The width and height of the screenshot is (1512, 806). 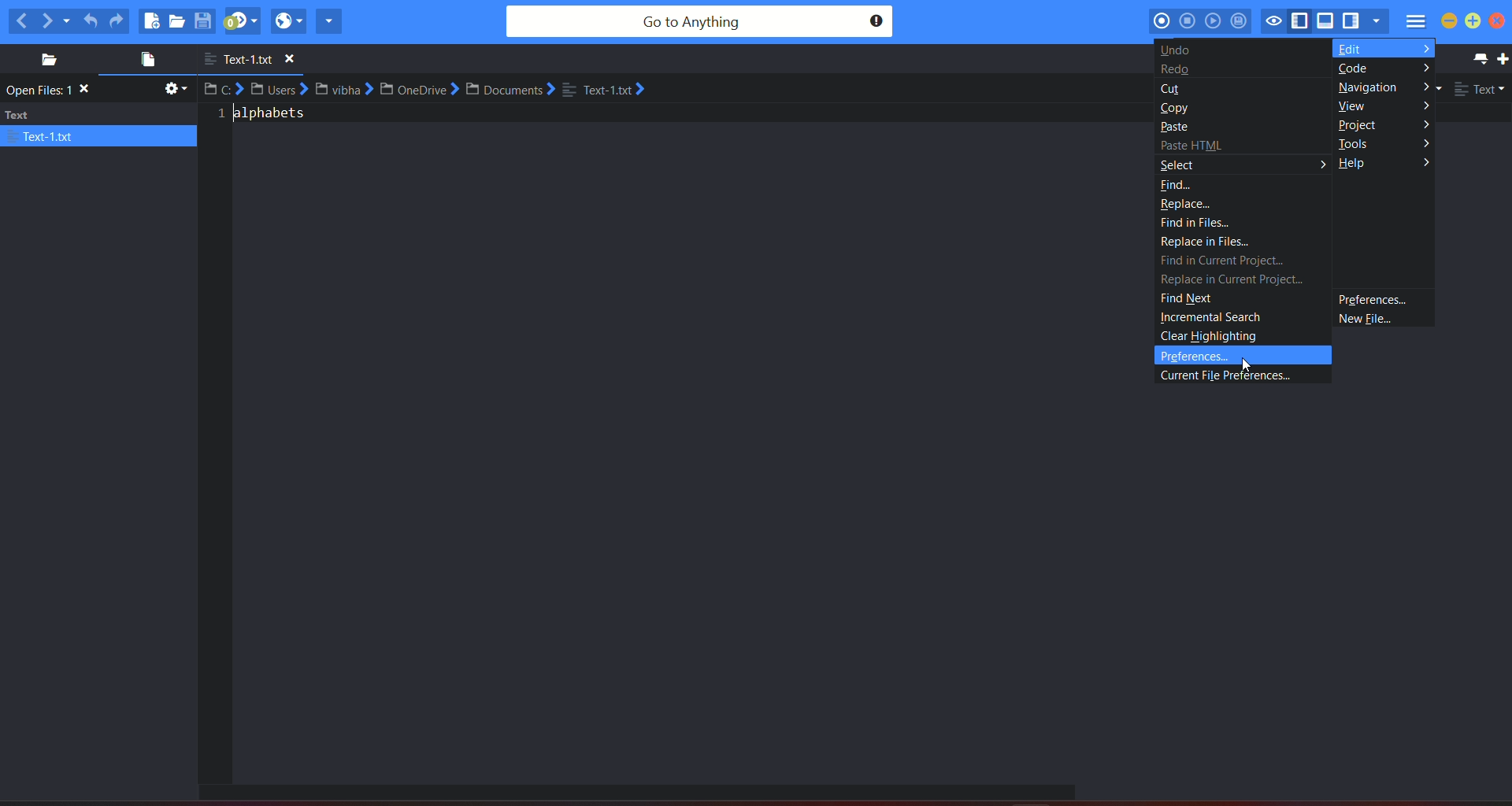 I want to click on jump to next, so click(x=242, y=21).